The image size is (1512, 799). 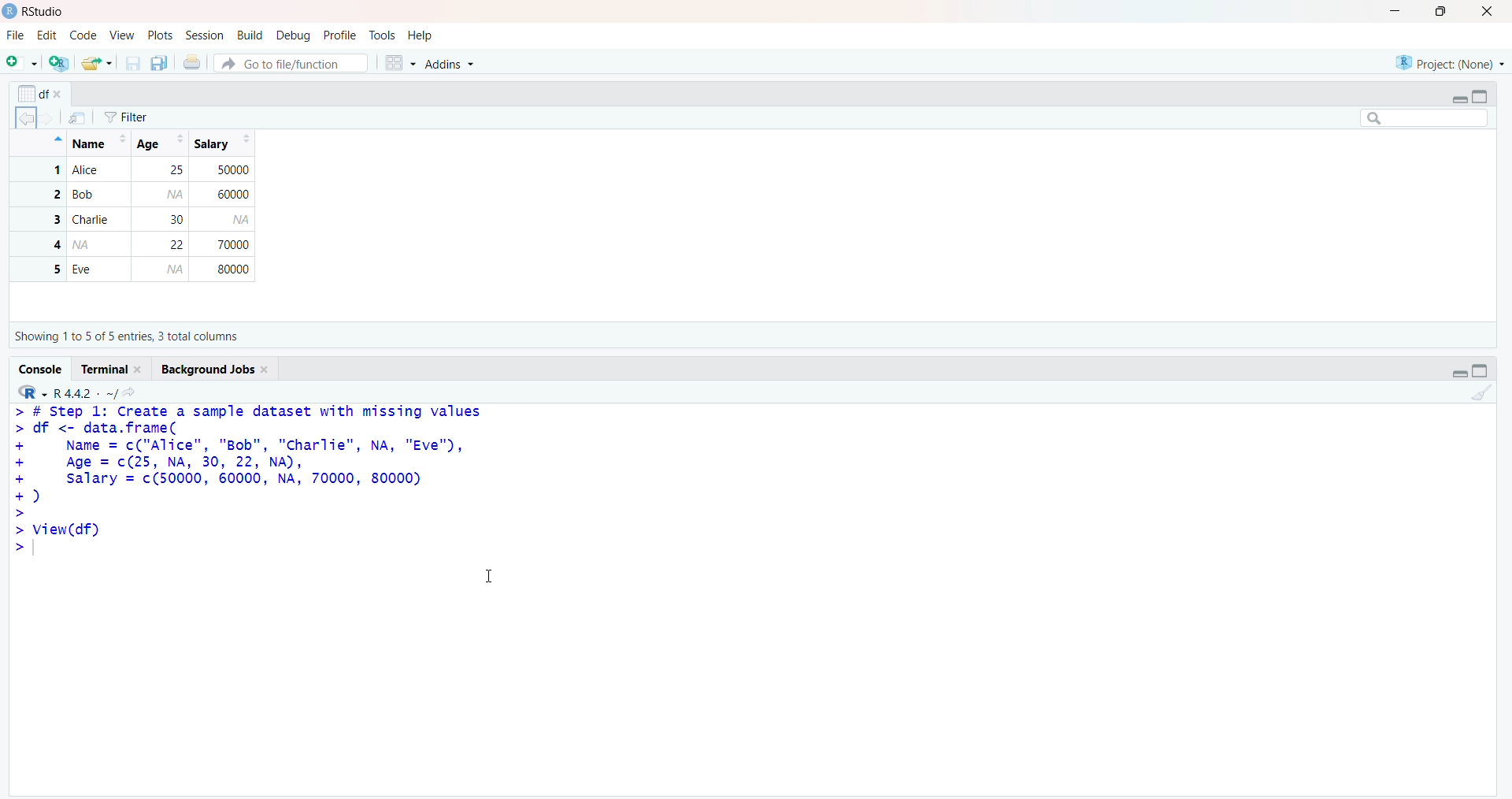 I want to click on Console, so click(x=39, y=369).